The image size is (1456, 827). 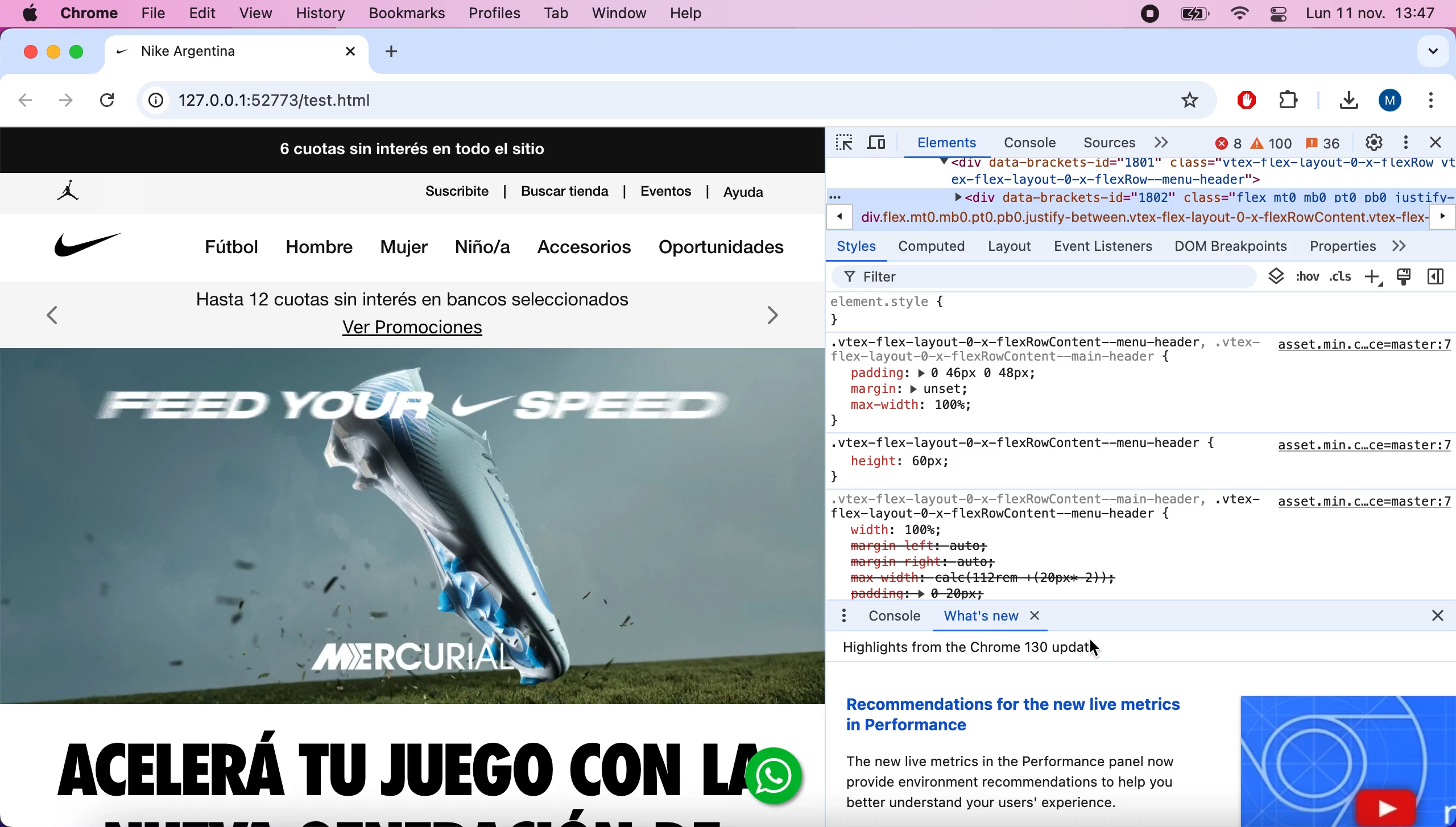 What do you see at coordinates (616, 13) in the screenshot?
I see `Window` at bounding box center [616, 13].